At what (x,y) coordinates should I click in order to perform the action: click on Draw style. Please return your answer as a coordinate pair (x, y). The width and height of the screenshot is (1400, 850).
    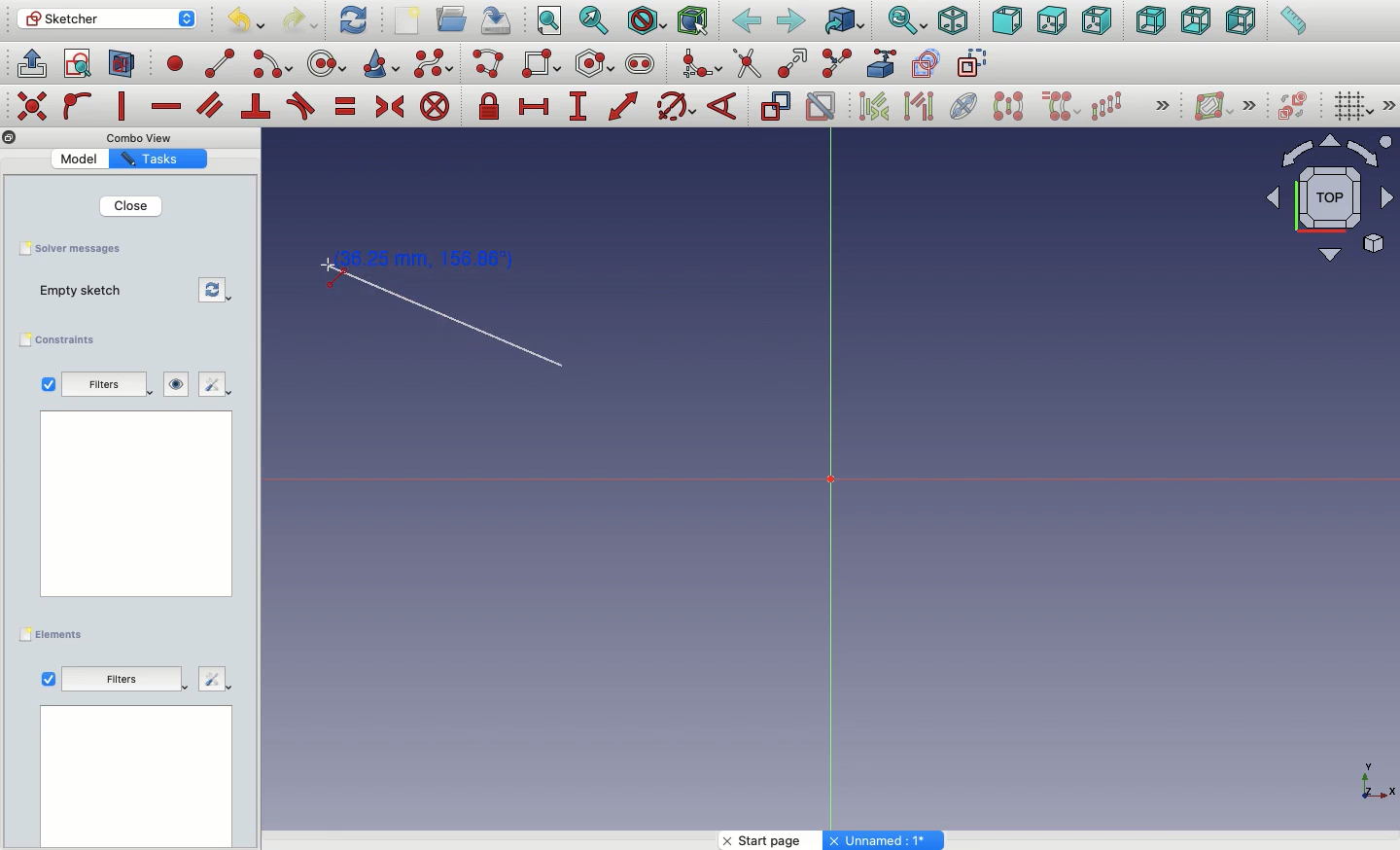
    Looking at the image, I should click on (647, 20).